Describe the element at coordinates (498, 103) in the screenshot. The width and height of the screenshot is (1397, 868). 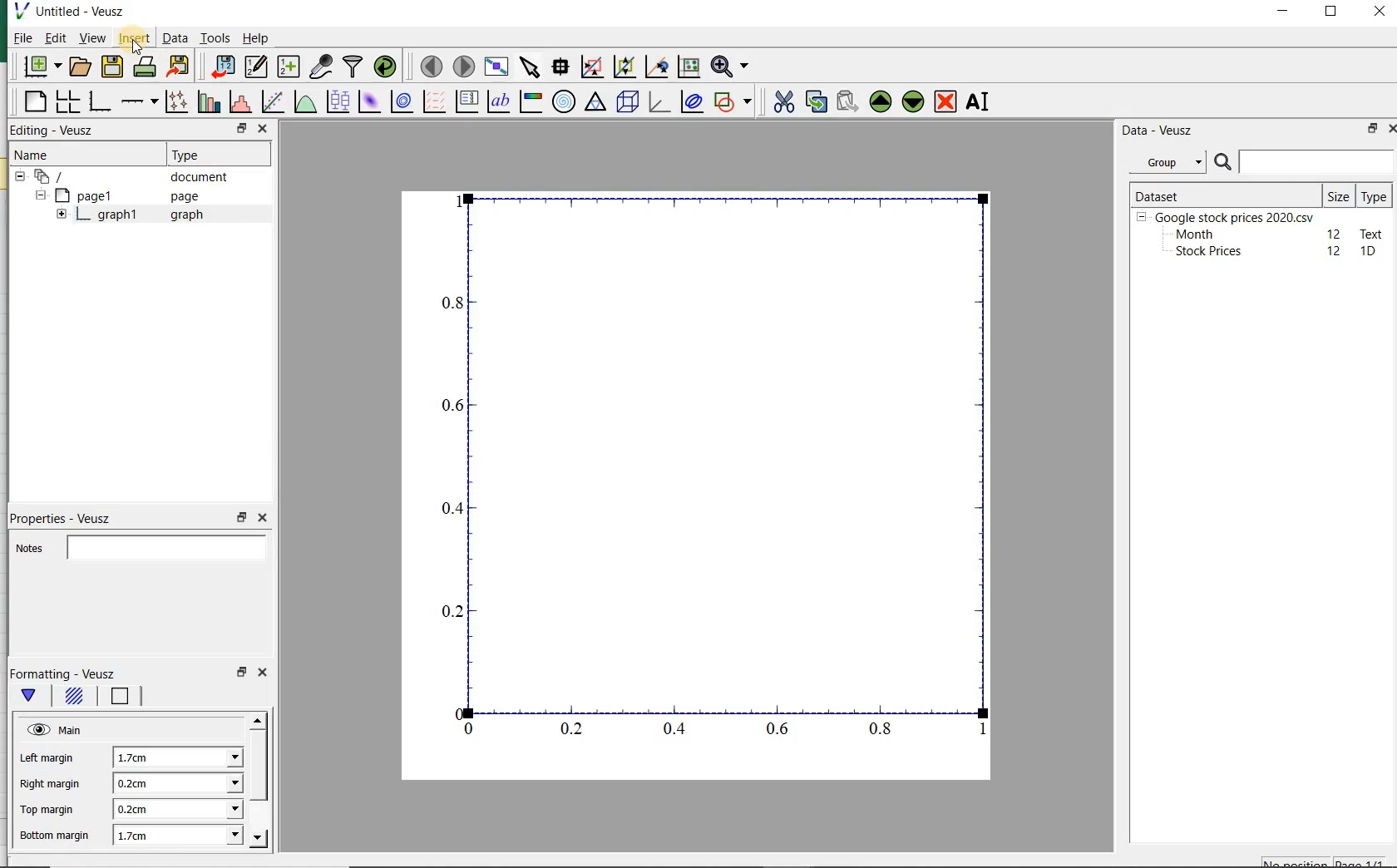
I see `text label` at that location.